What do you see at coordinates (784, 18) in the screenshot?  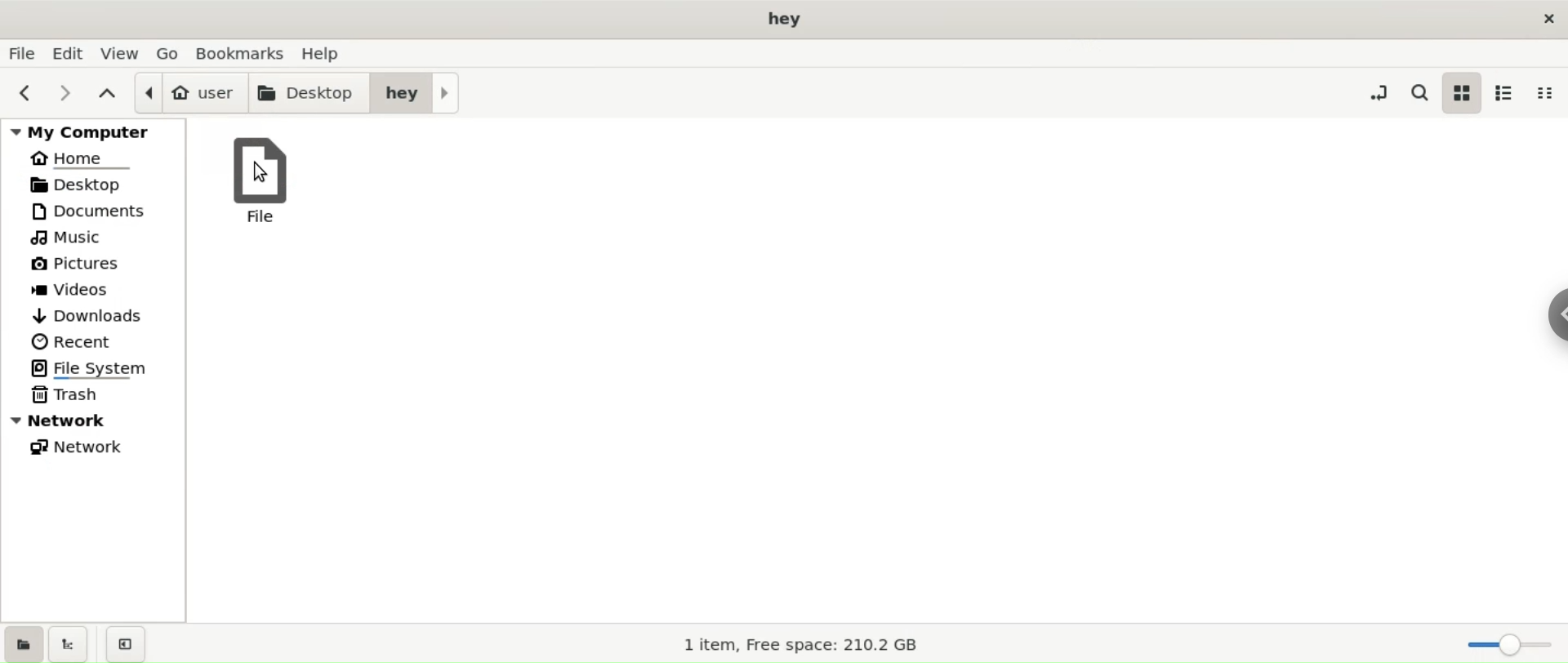 I see `title` at bounding box center [784, 18].